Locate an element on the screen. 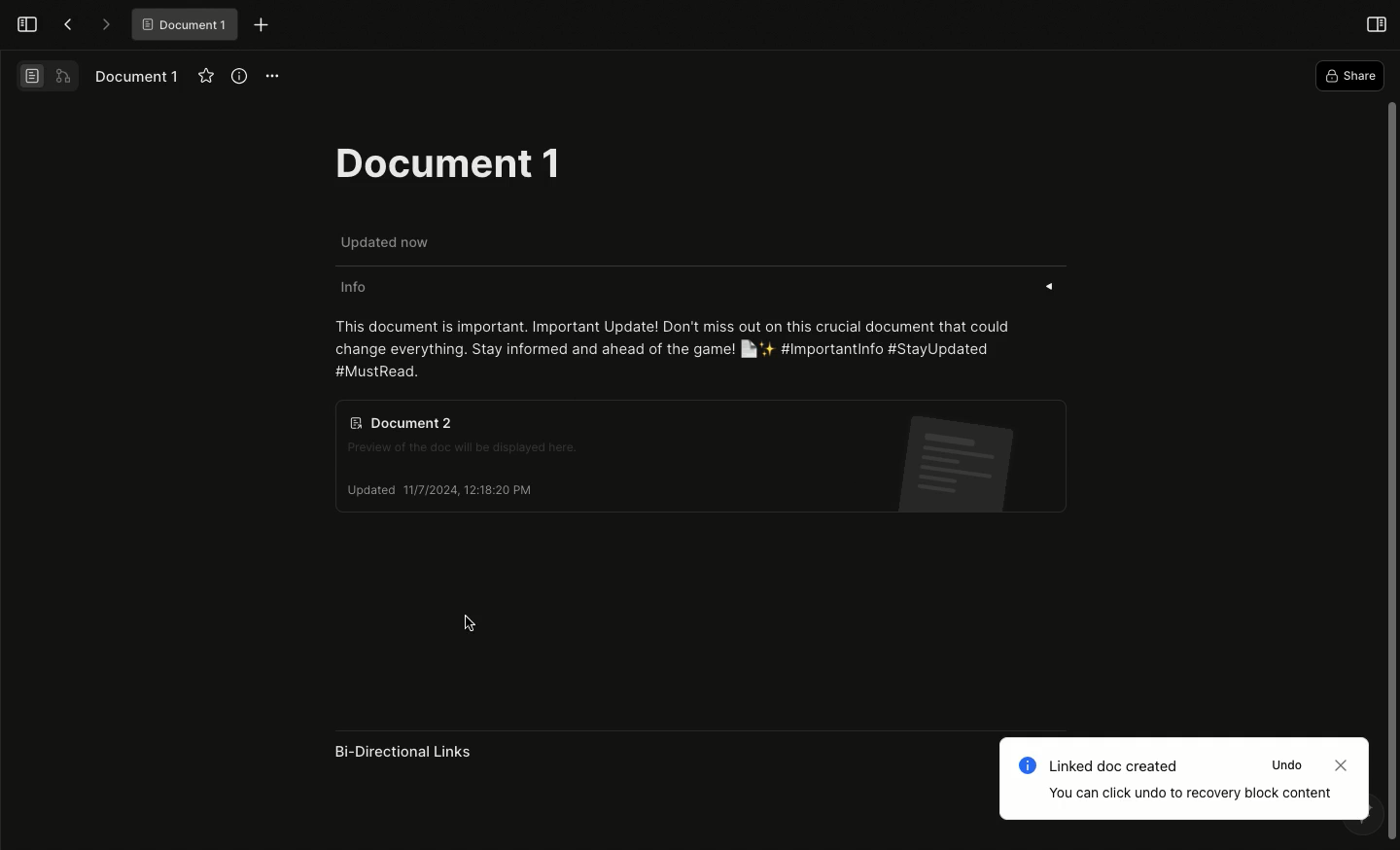  View info is located at coordinates (236, 77).